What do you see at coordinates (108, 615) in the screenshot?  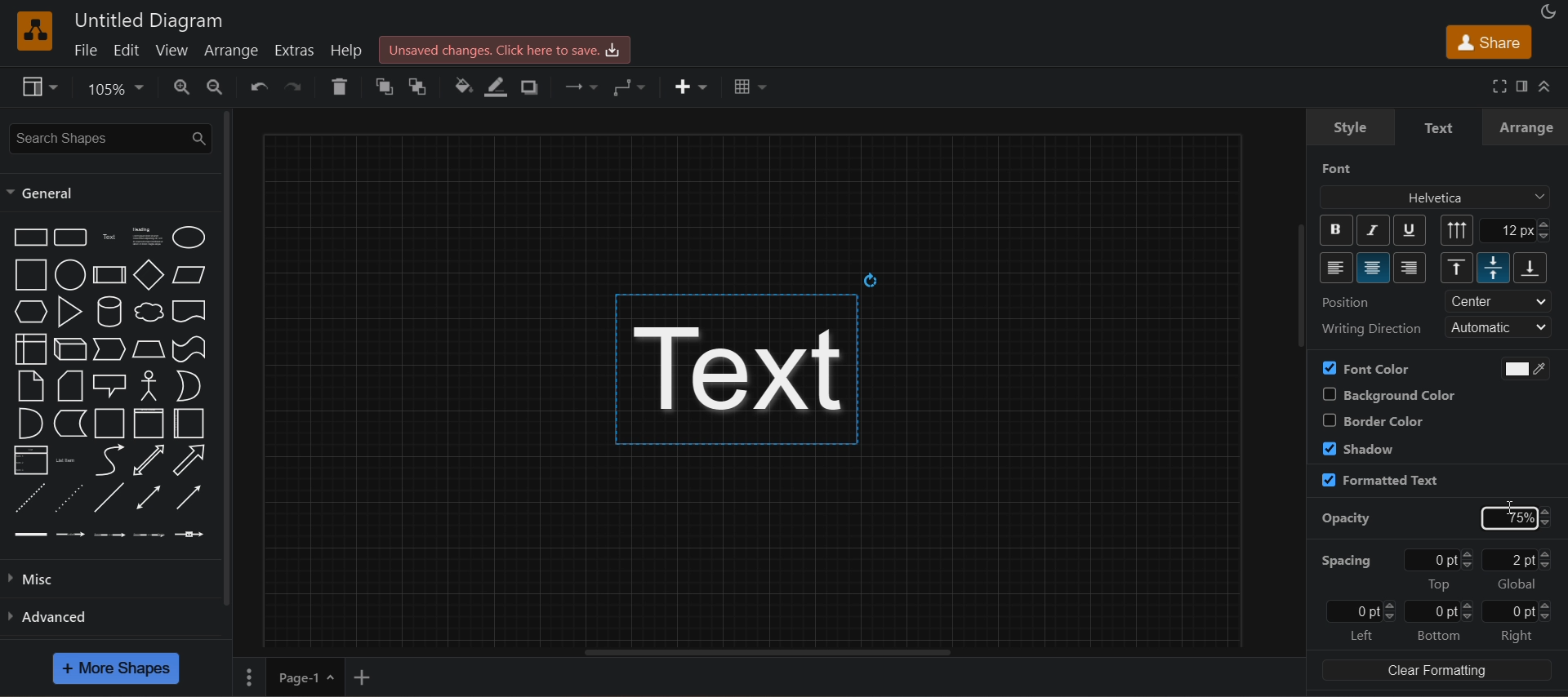 I see `advanced` at bounding box center [108, 615].